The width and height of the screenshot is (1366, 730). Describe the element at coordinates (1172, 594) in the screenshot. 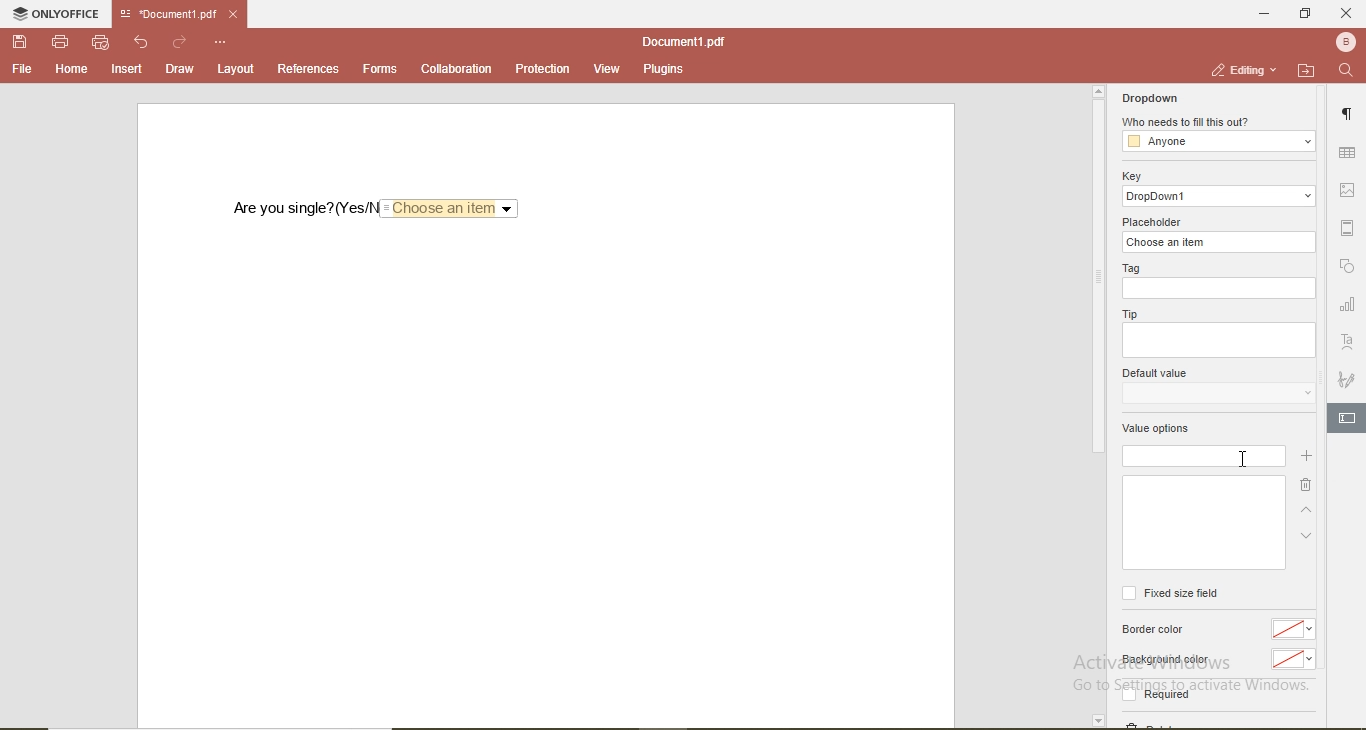

I see `fixed size field` at that location.